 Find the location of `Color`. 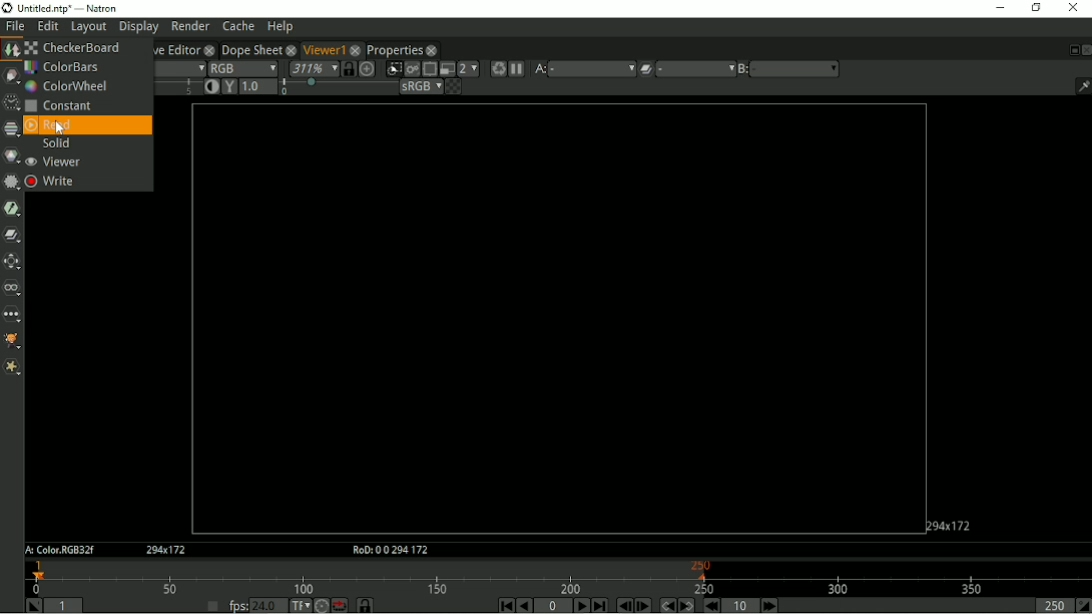

Color is located at coordinates (12, 155).